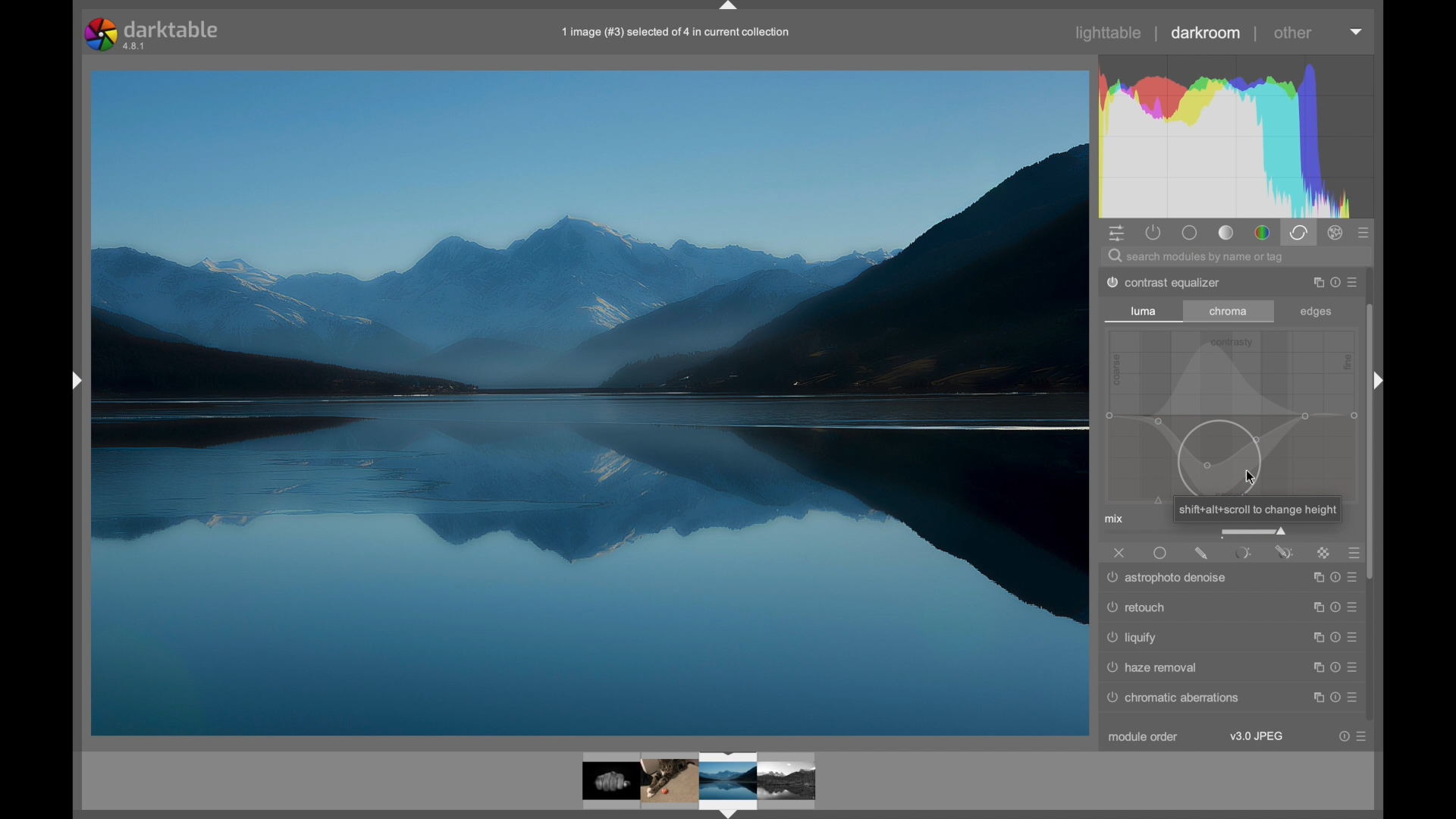 This screenshot has width=1456, height=819. What do you see at coordinates (1191, 233) in the screenshot?
I see `base` at bounding box center [1191, 233].